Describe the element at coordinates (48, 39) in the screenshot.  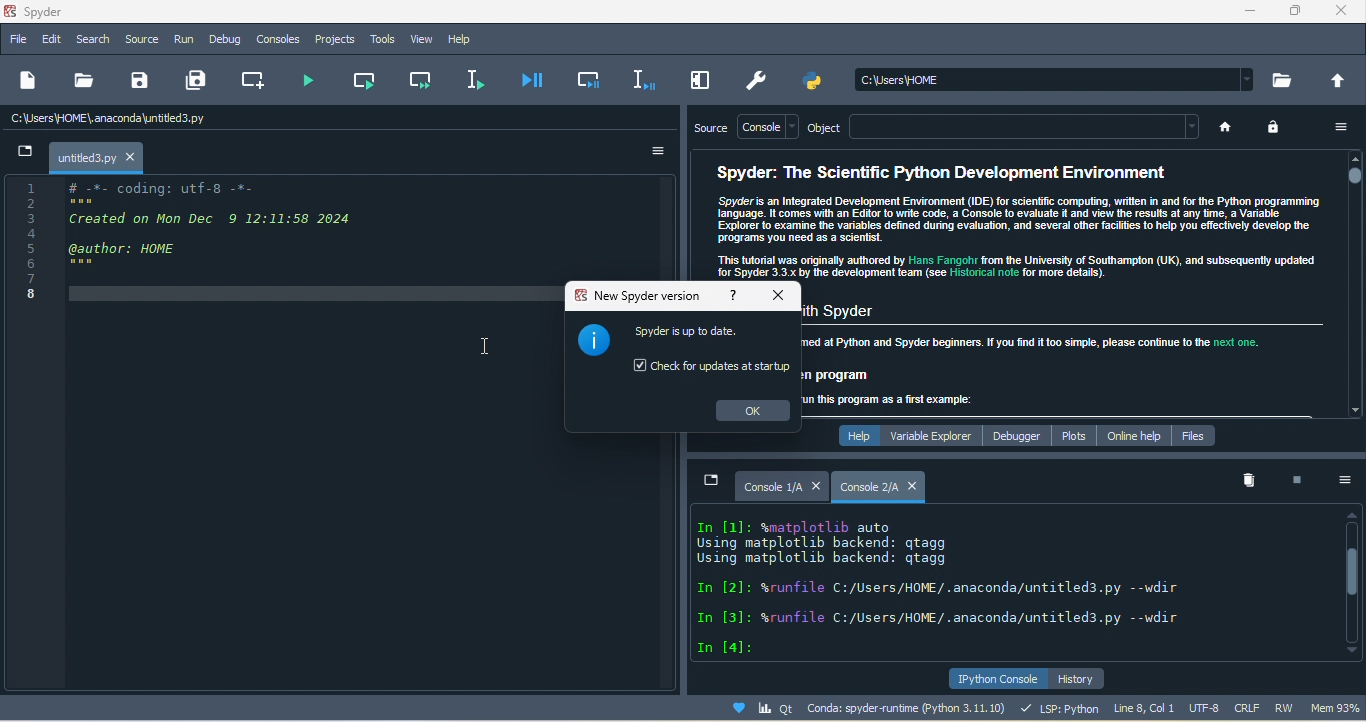
I see `edit` at that location.